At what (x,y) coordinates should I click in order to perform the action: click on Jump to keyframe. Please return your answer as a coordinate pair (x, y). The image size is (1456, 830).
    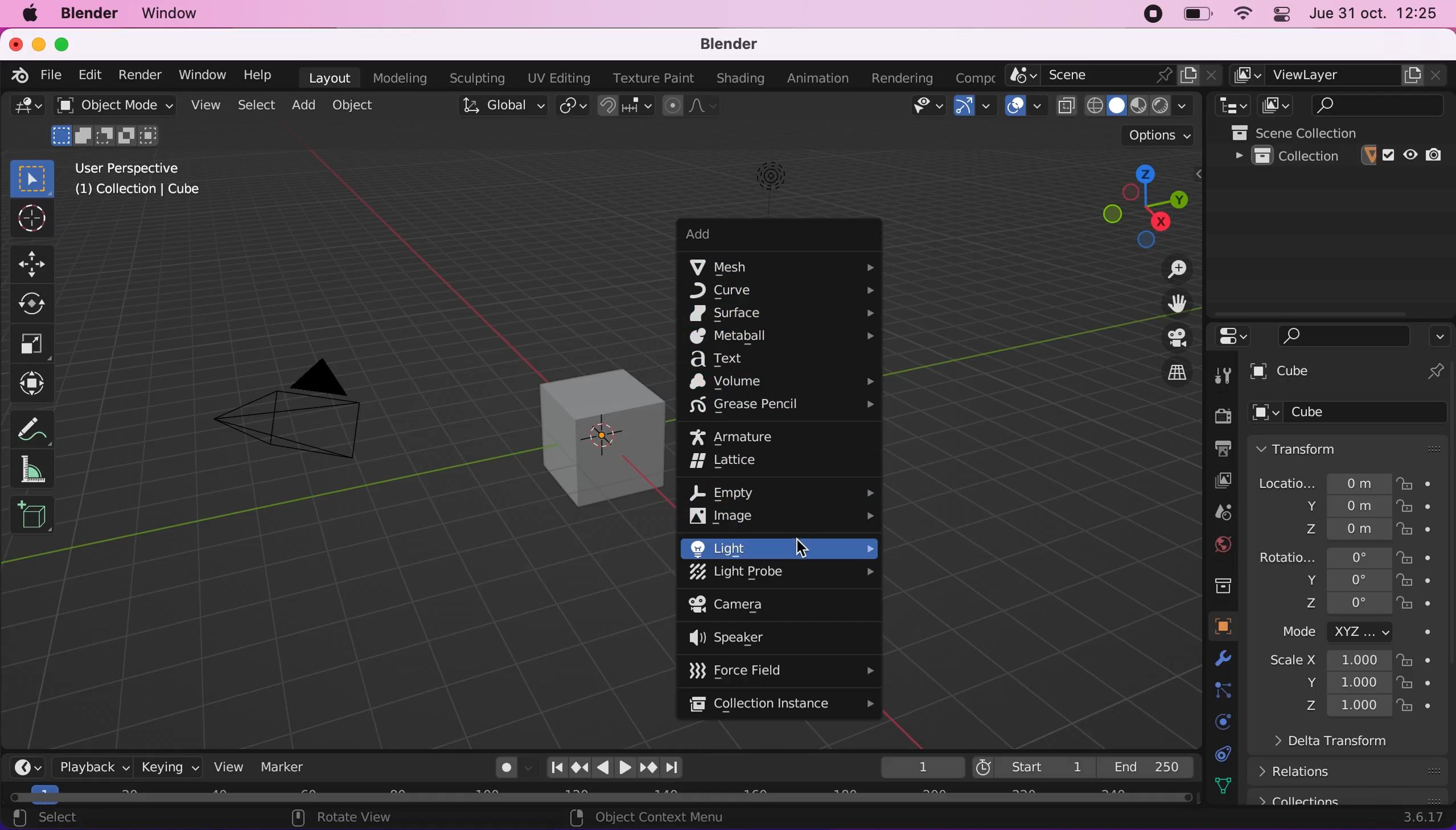
    Looking at the image, I should click on (578, 770).